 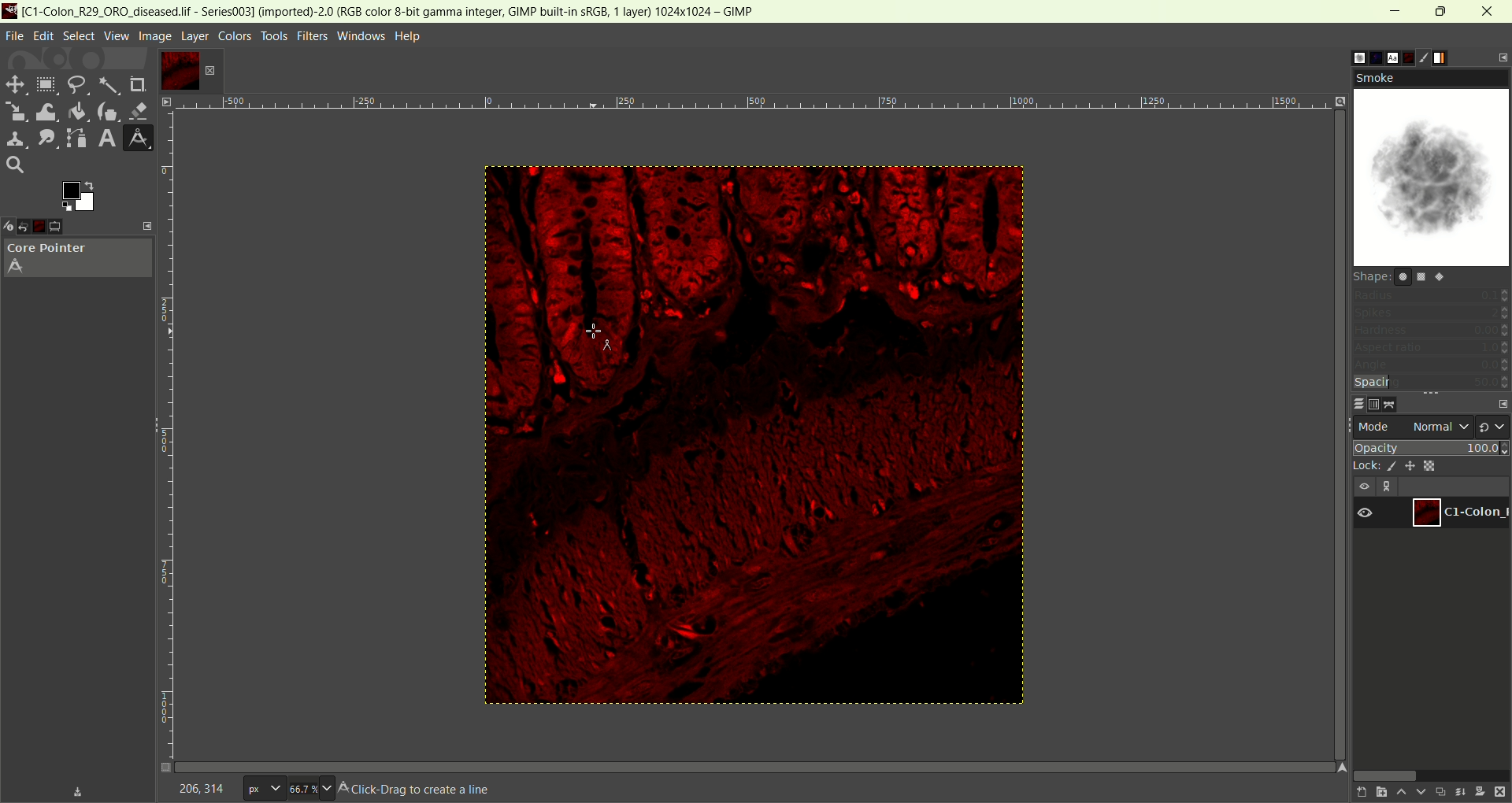 What do you see at coordinates (1374, 405) in the screenshot?
I see `channels` at bounding box center [1374, 405].